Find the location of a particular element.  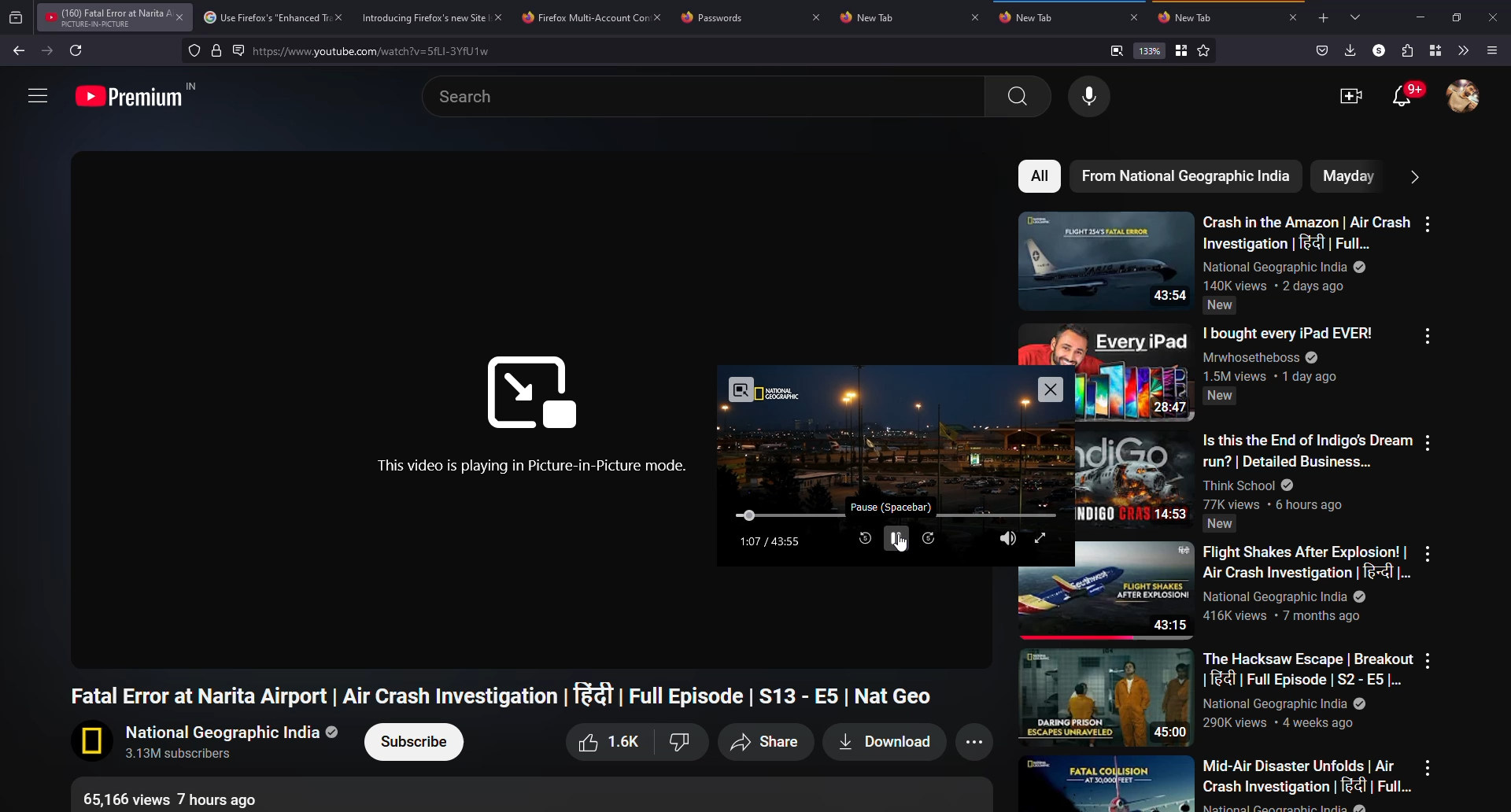

subscribe is located at coordinates (416, 742).